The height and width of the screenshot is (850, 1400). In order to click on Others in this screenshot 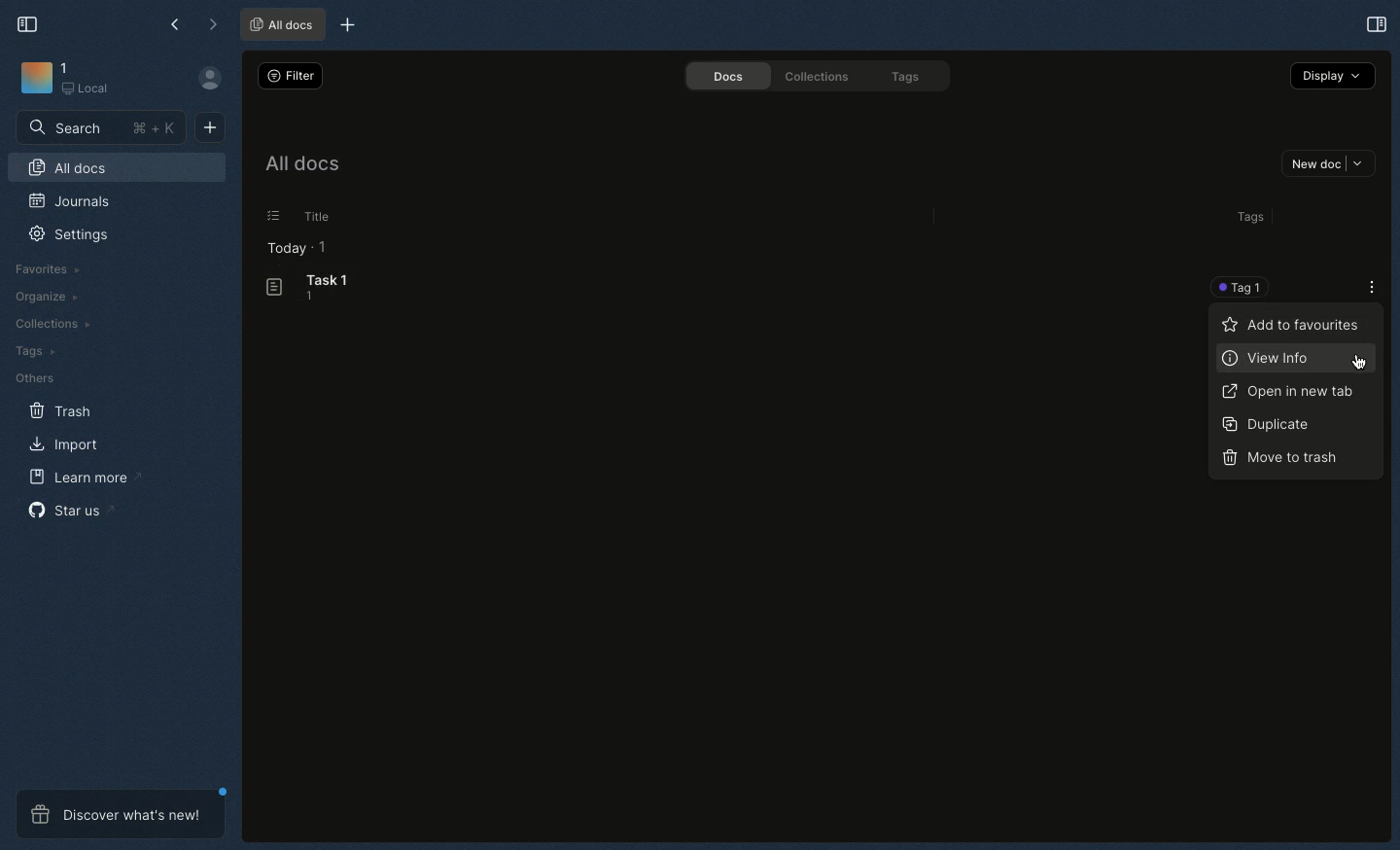, I will do `click(36, 378)`.